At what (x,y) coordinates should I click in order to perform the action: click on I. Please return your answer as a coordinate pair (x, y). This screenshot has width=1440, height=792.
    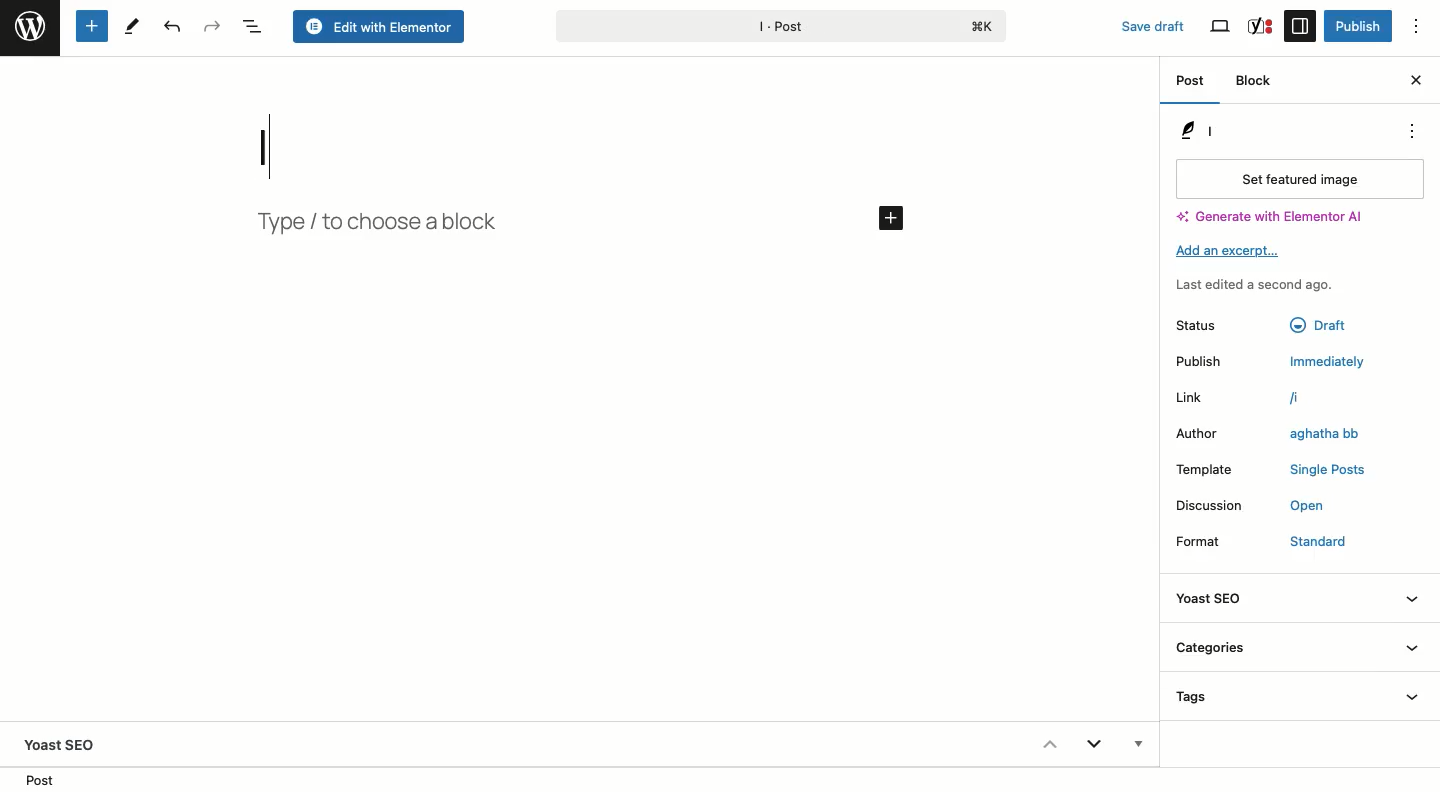
    Looking at the image, I should click on (288, 144).